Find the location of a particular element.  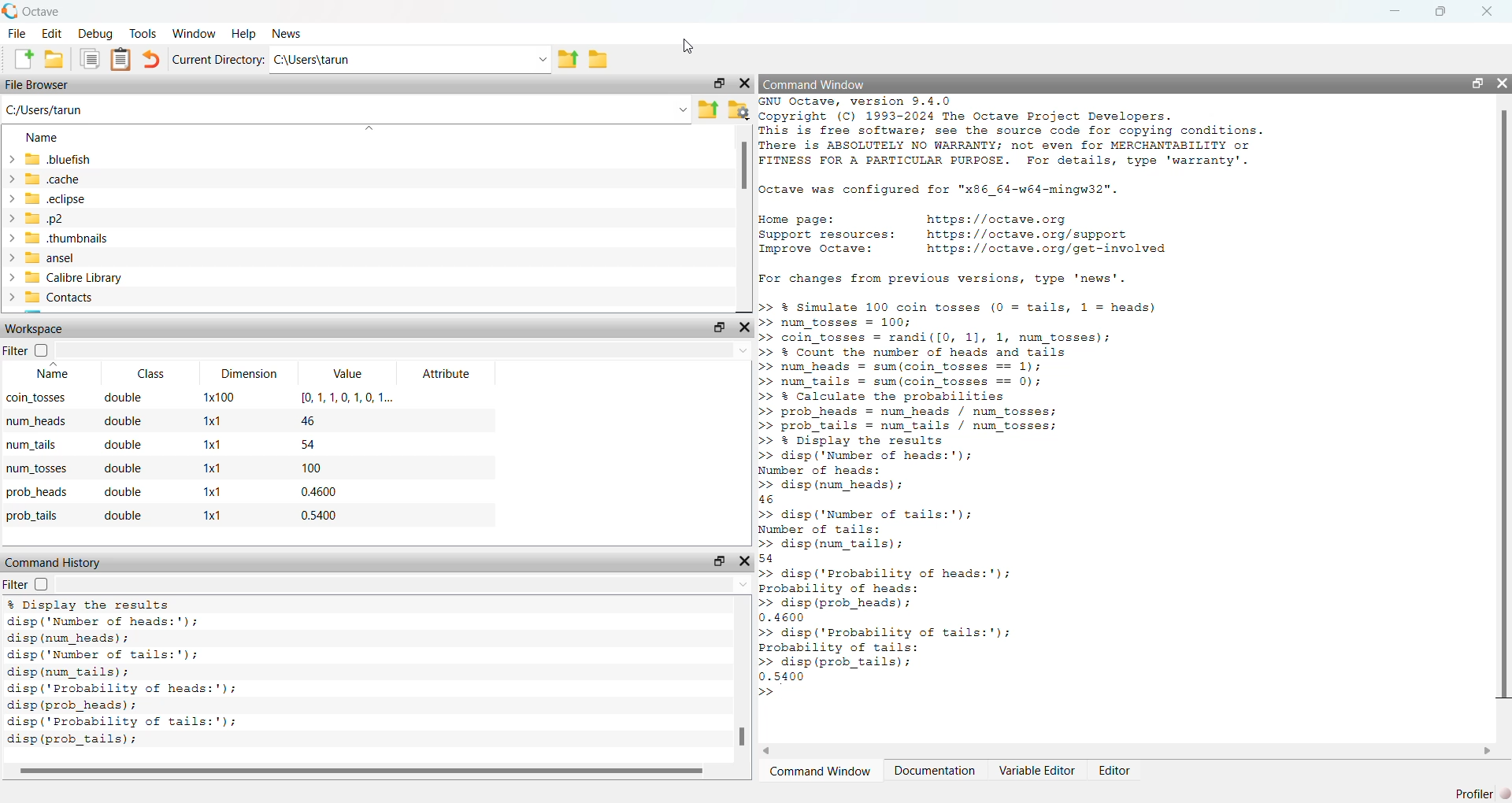

>> % simulate 100 coin tosses (0 = tails, 1 = heads)
>> num_tosses = 100;

>> coin_tosses = randi([0, 1], 1, num_tosses);
>> % Count the number of heads and tails
>> num_heads = sum(coin_tosses == 1);

>> num_tails = sum(coin_tosses == 0);

>> % Calculate the probabilities

>> prob_heads = num_heads / num_tosses;
>> prob_tails = num_tails / num tosses:
>> % Display the results

>> disp ('Number of heads:');

Number of heads:

>> disp (num_heads) ;

46

>> disp ('Number of tails:');

Number of tails:

>> disp (num_tails);

54

>> disp ('Probability of heads:');
Probability of heads:

>> disp (prob_heads) ;

0.4600 is located at coordinates (961, 461).